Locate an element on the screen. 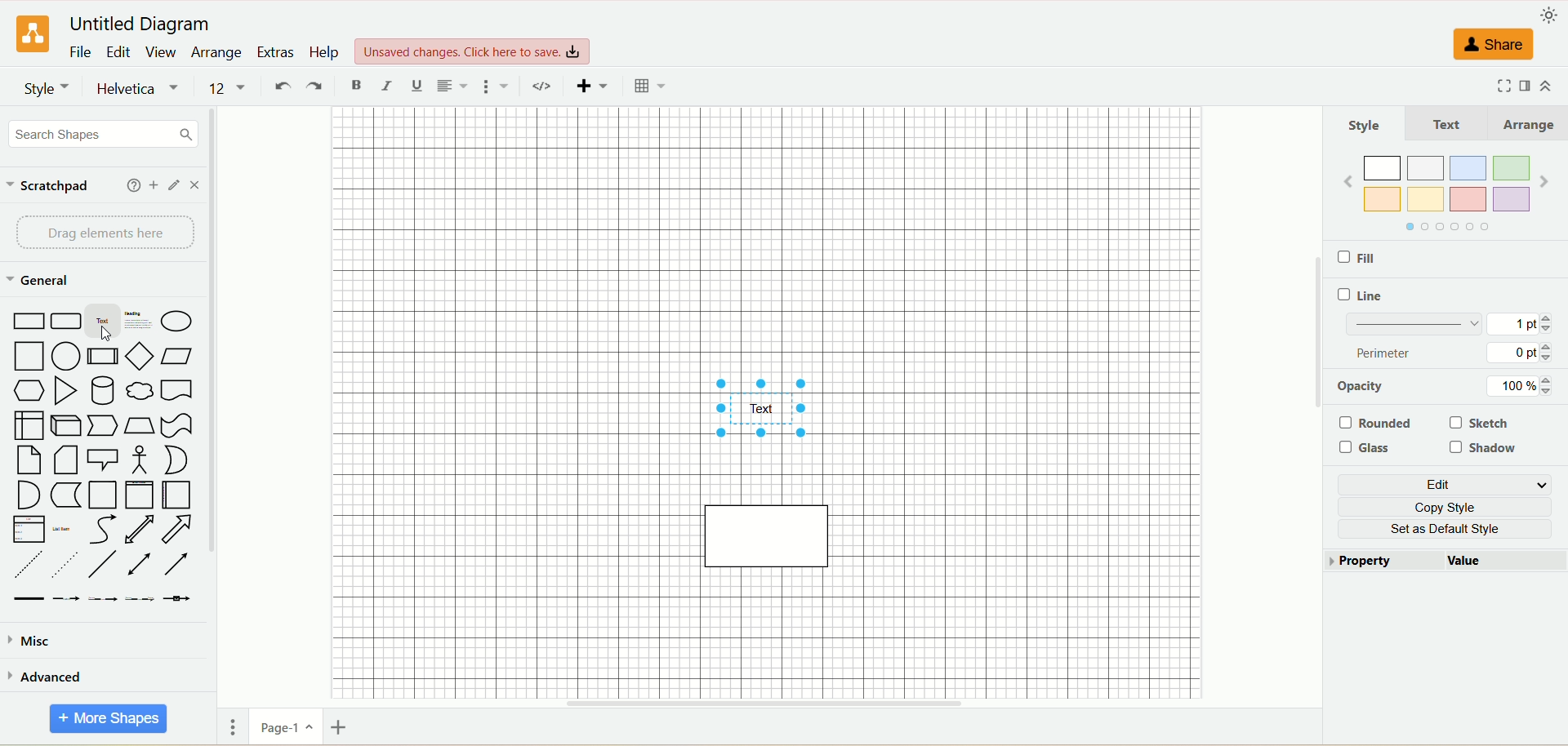 This screenshot has height=746, width=1568. actor is located at coordinates (141, 460).